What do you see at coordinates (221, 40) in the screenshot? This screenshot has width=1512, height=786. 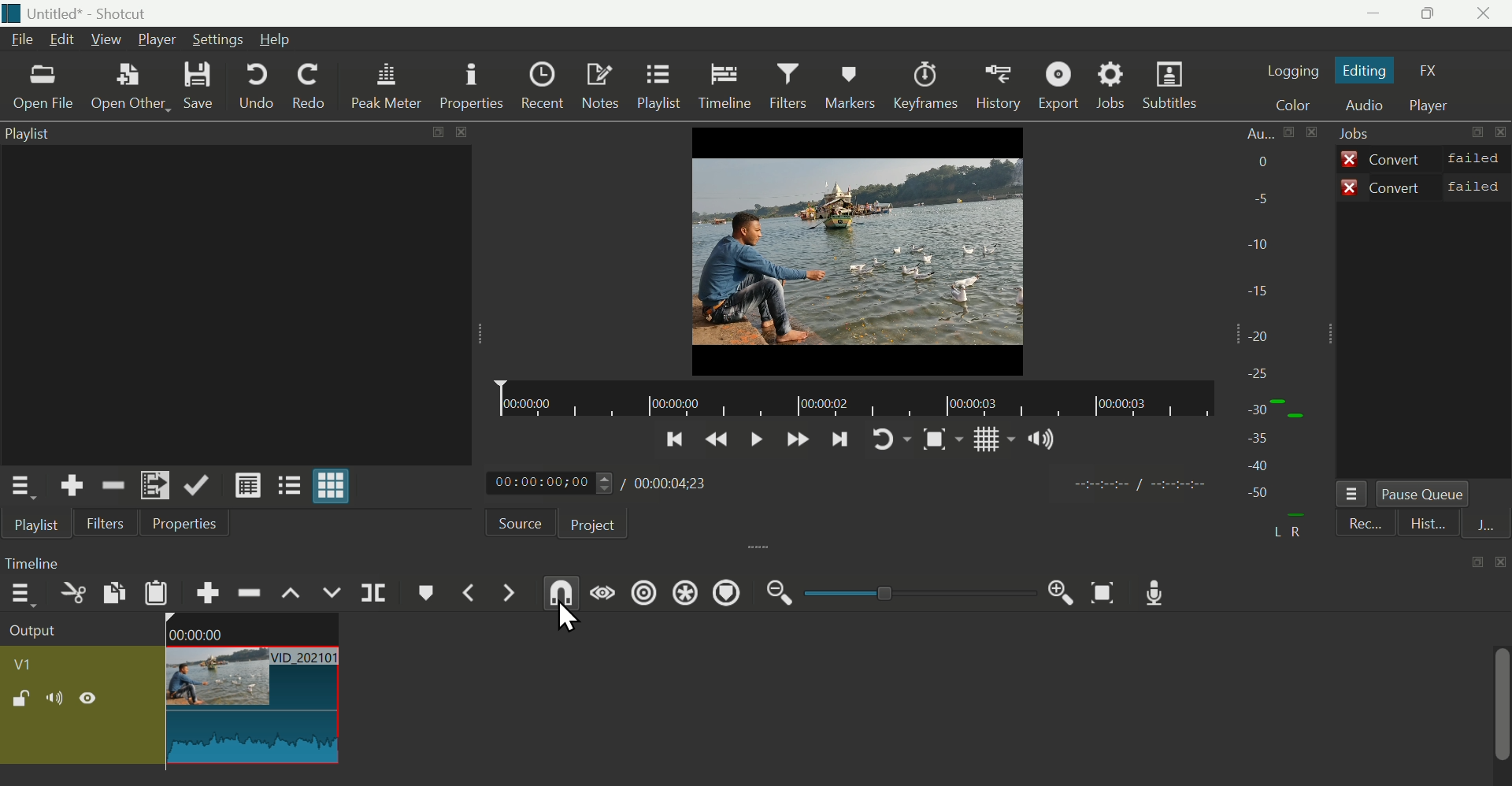 I see `Setting` at bounding box center [221, 40].